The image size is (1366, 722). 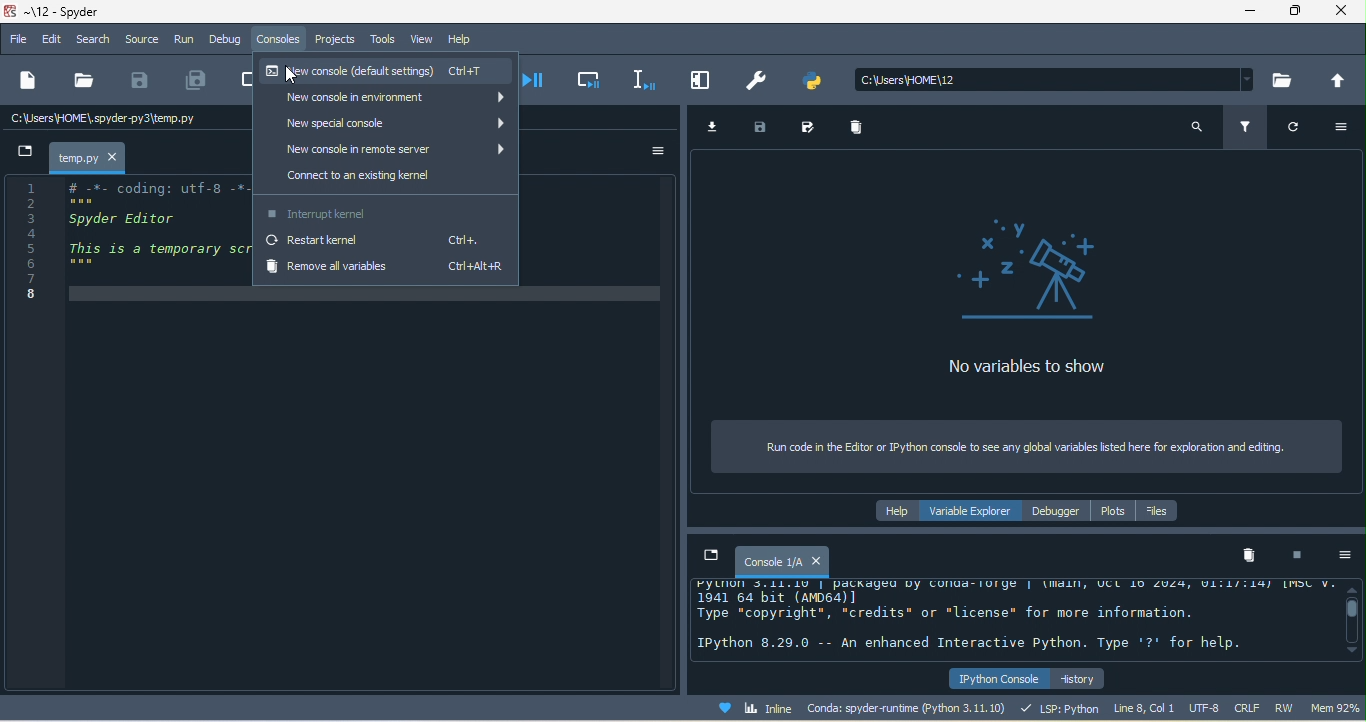 I want to click on cursor movement, so click(x=287, y=77).